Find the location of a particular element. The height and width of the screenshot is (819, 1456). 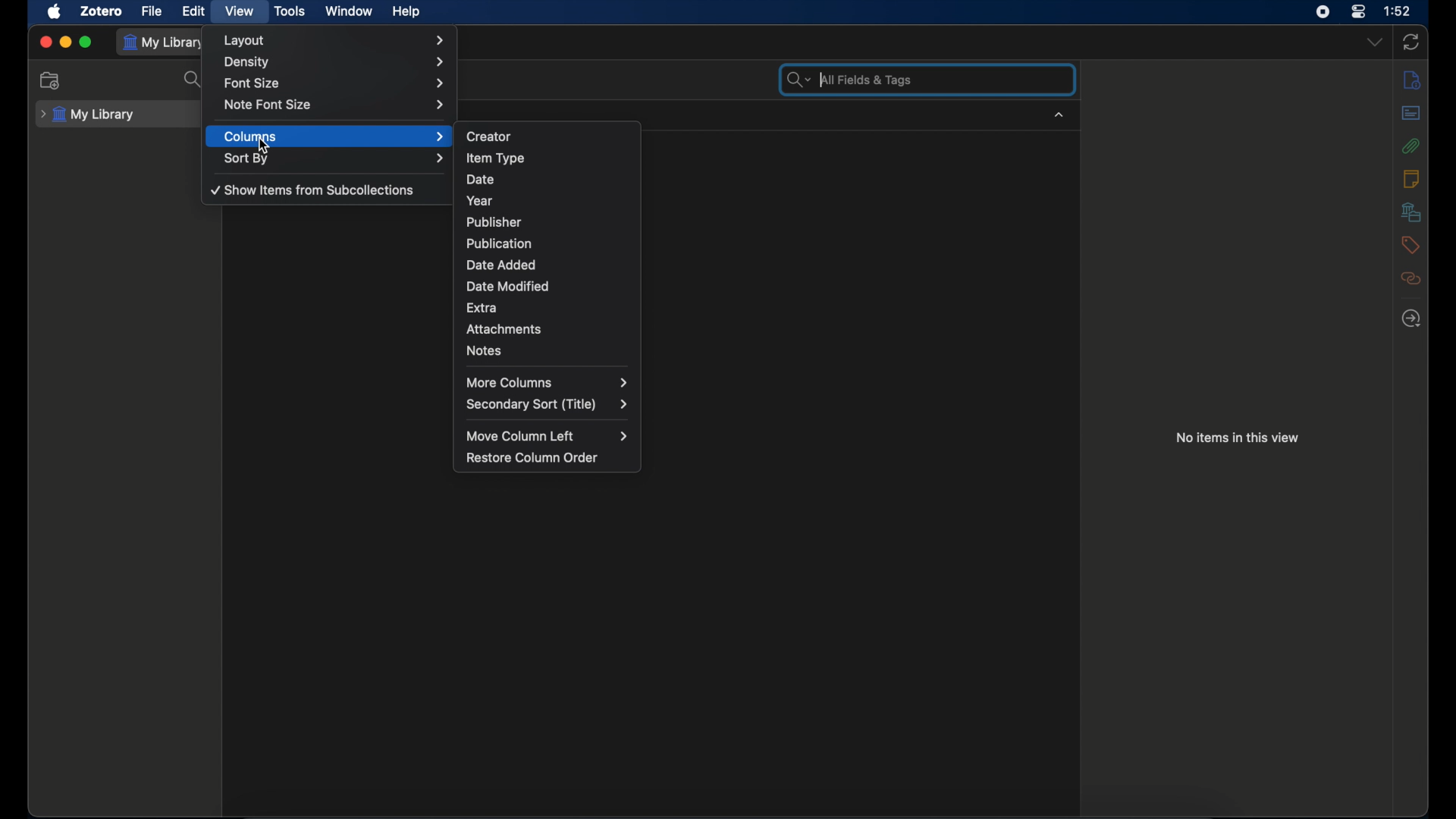

restore column order is located at coordinates (533, 458).